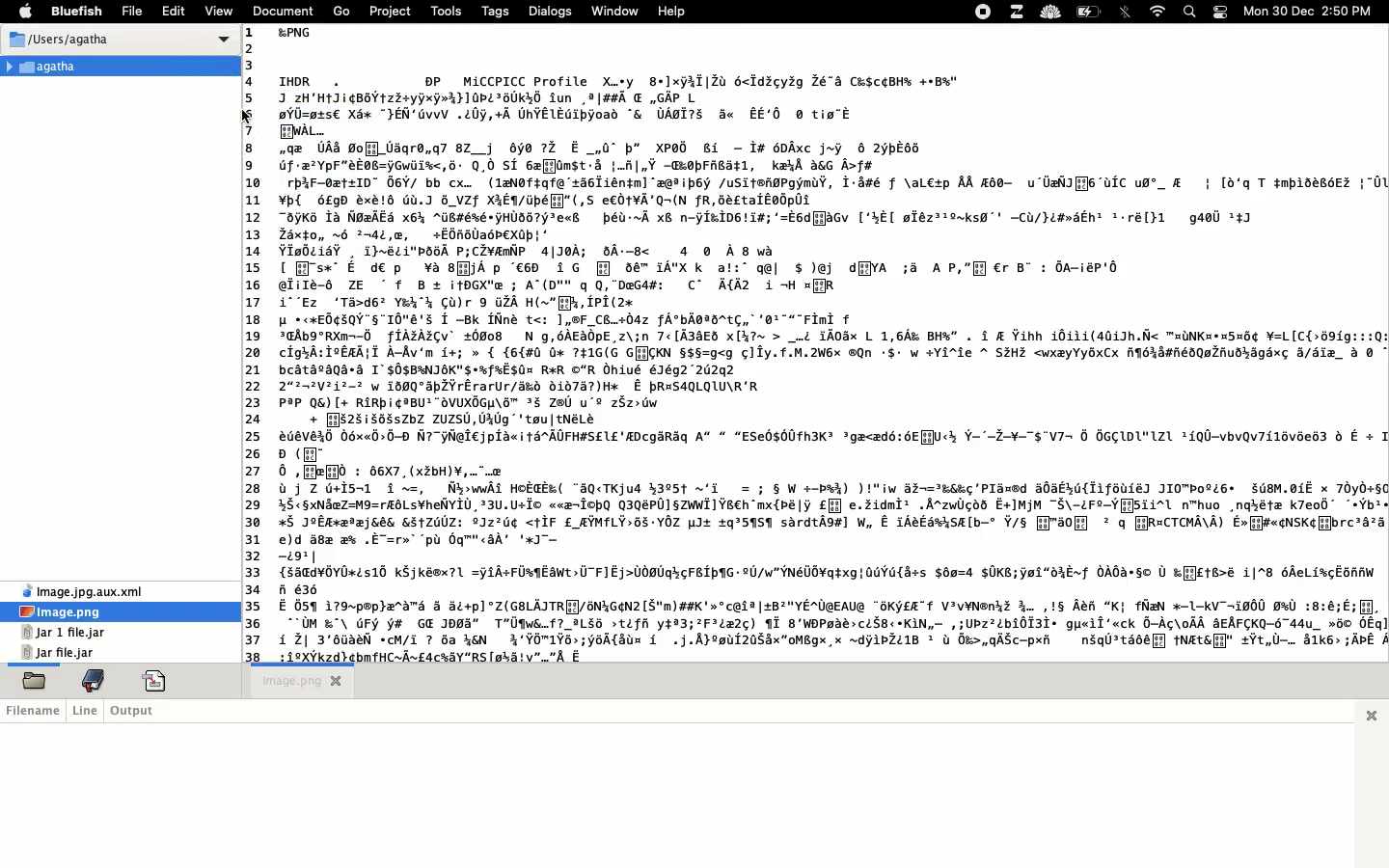  I want to click on image.png, so click(65, 613).